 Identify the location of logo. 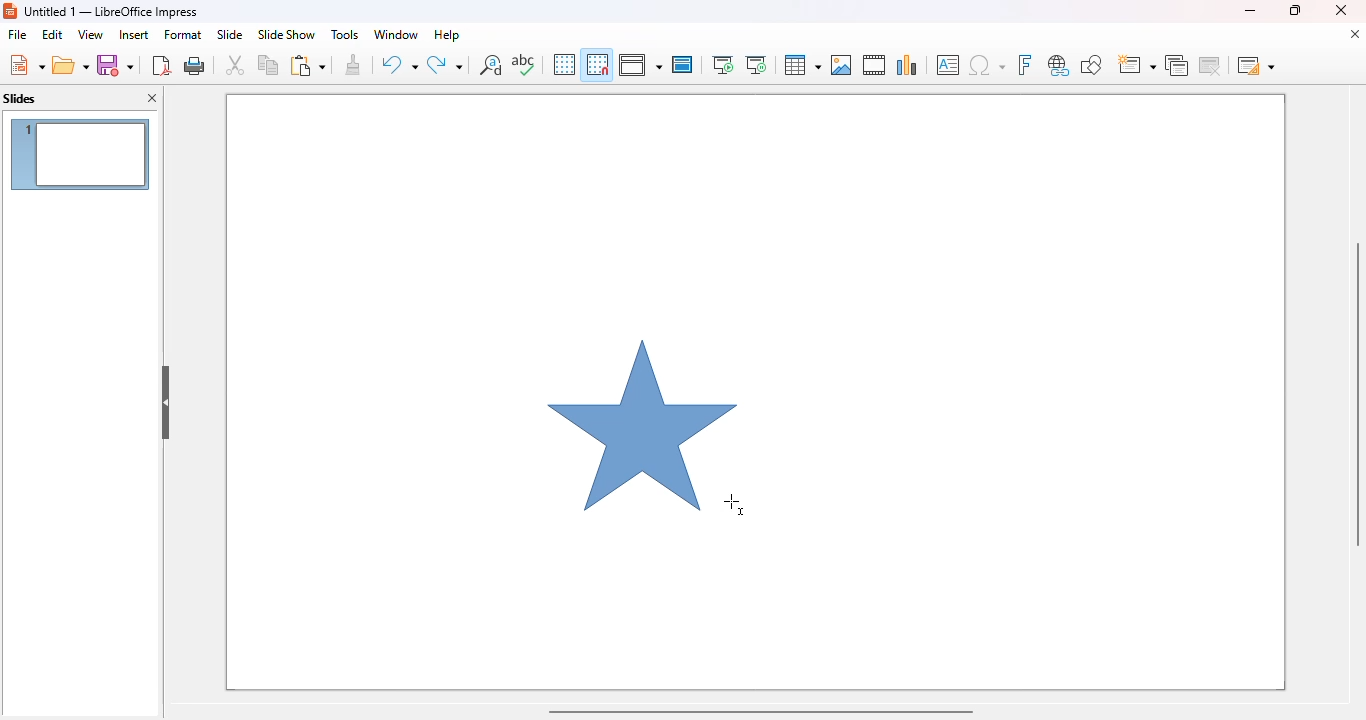
(10, 11).